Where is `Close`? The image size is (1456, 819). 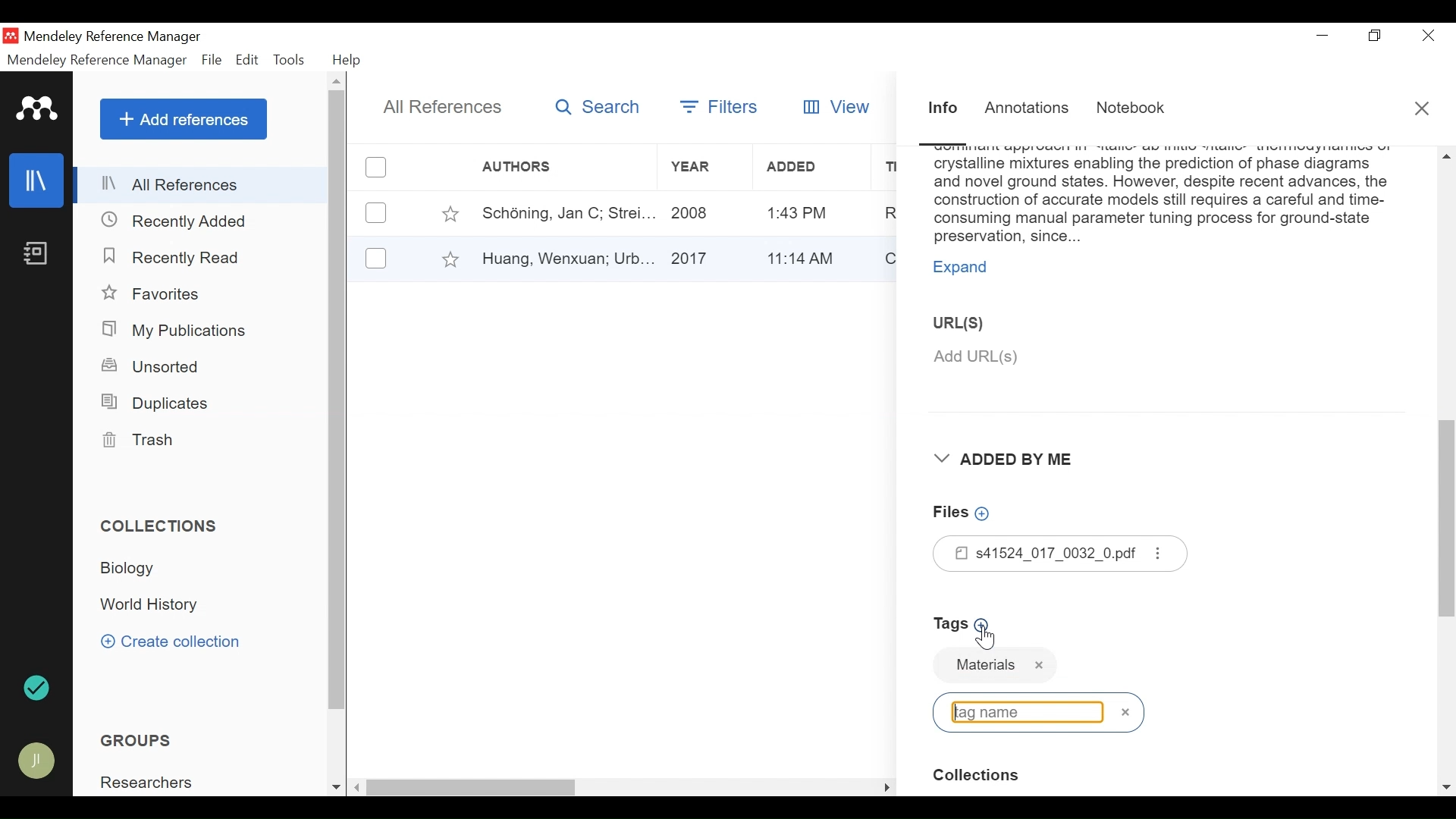 Close is located at coordinates (1430, 35).